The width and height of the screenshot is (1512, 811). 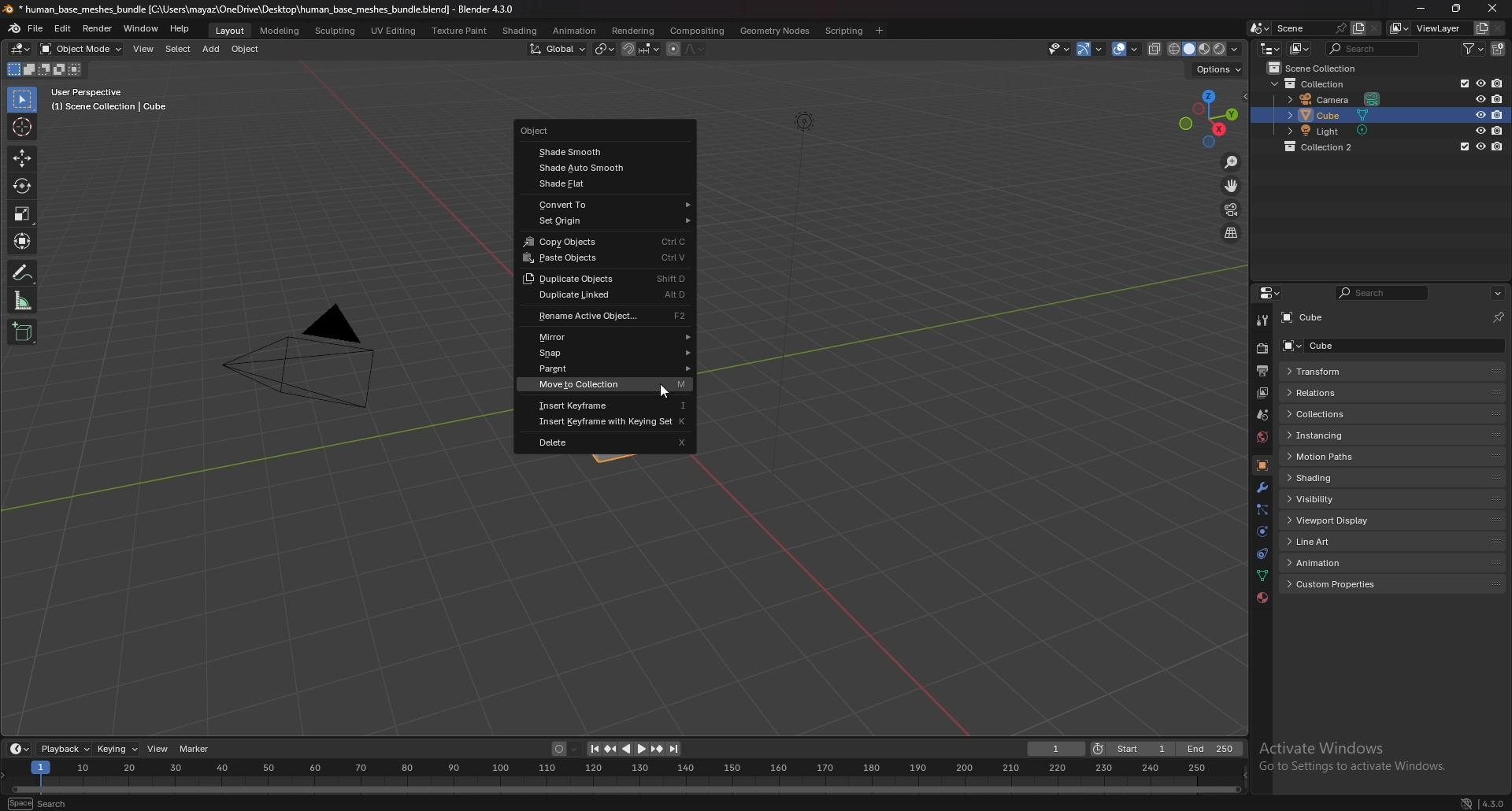 What do you see at coordinates (63, 30) in the screenshot?
I see `edit` at bounding box center [63, 30].